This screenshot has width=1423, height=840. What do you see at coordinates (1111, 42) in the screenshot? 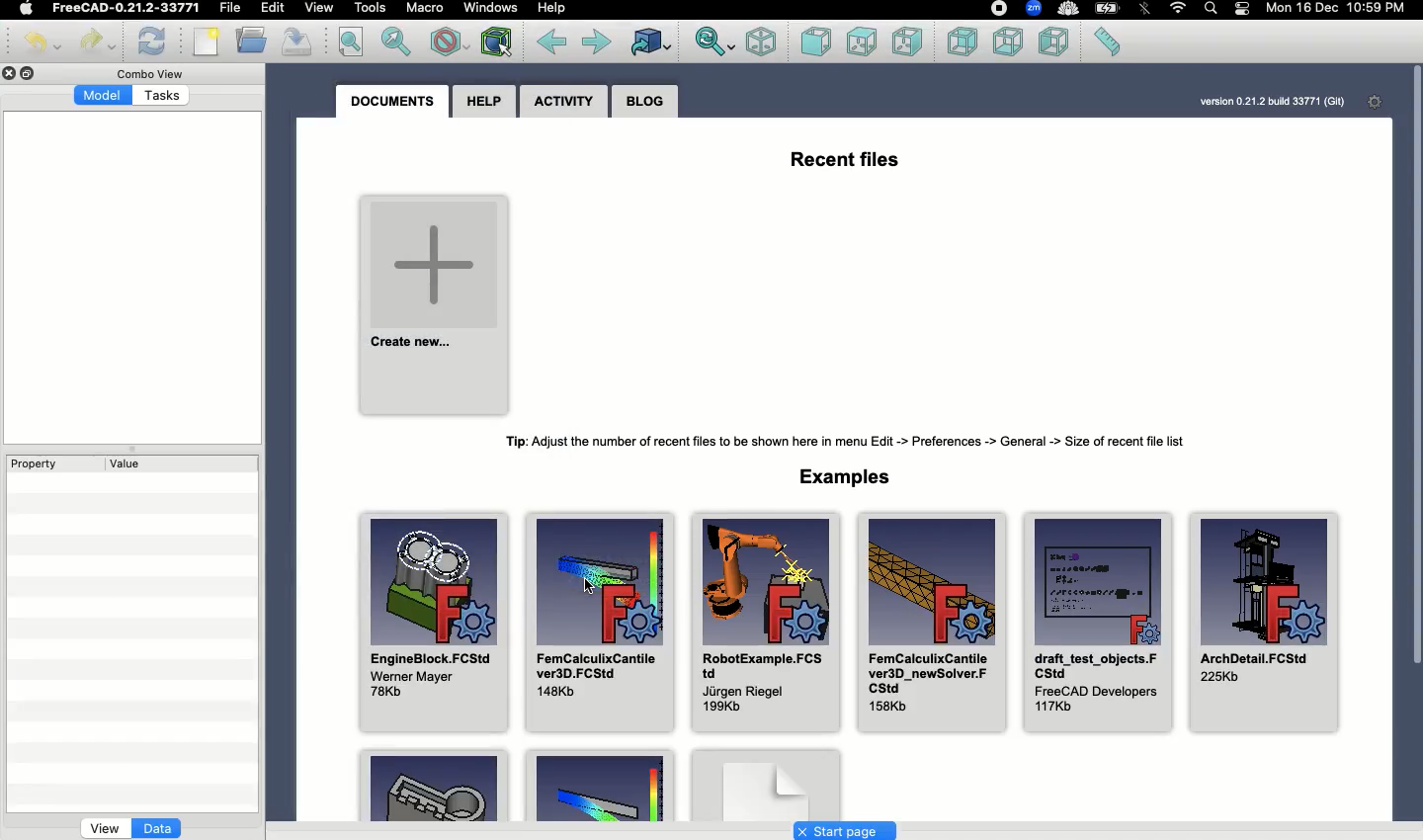
I see `Measure` at bounding box center [1111, 42].